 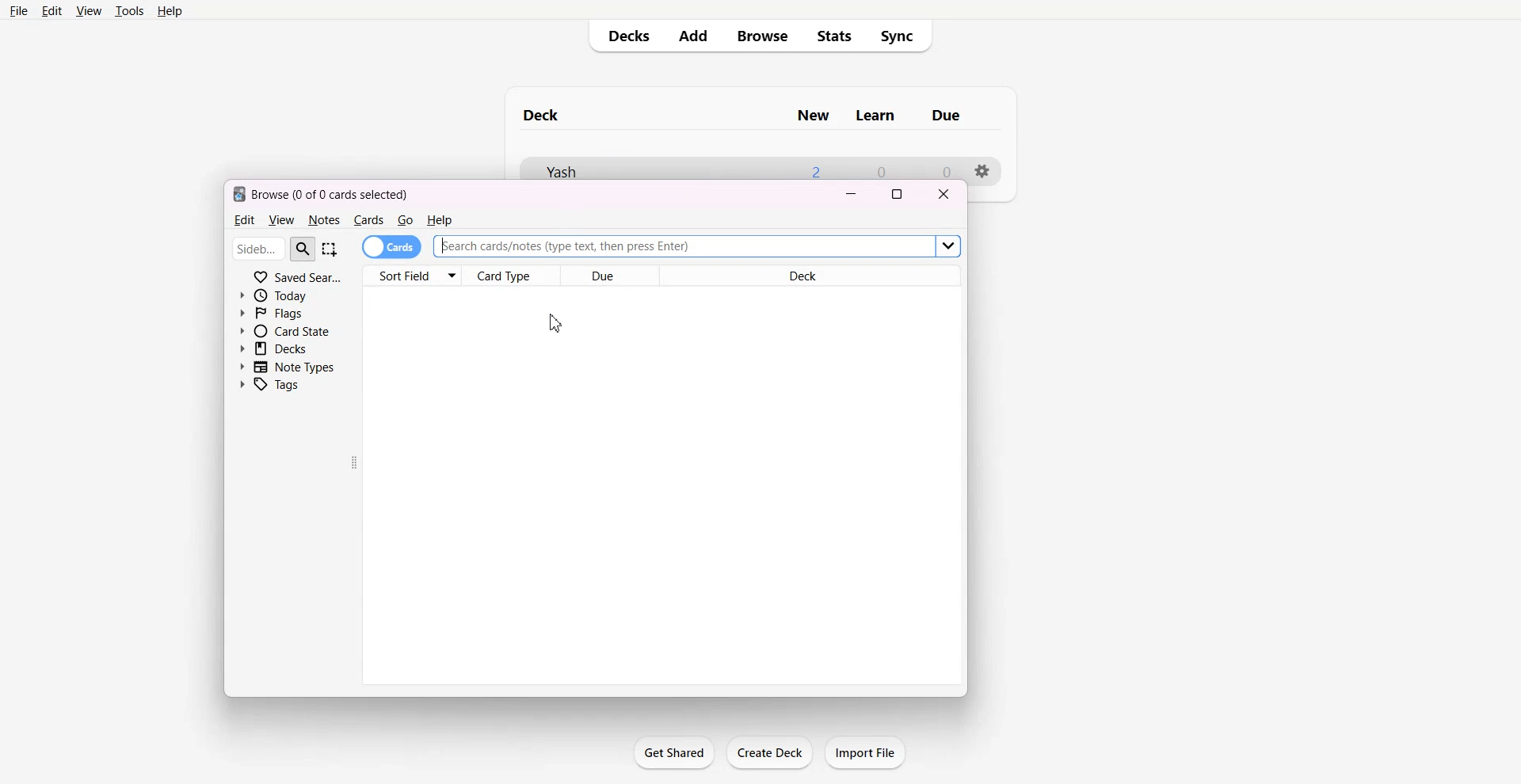 What do you see at coordinates (625, 37) in the screenshot?
I see `Decks` at bounding box center [625, 37].